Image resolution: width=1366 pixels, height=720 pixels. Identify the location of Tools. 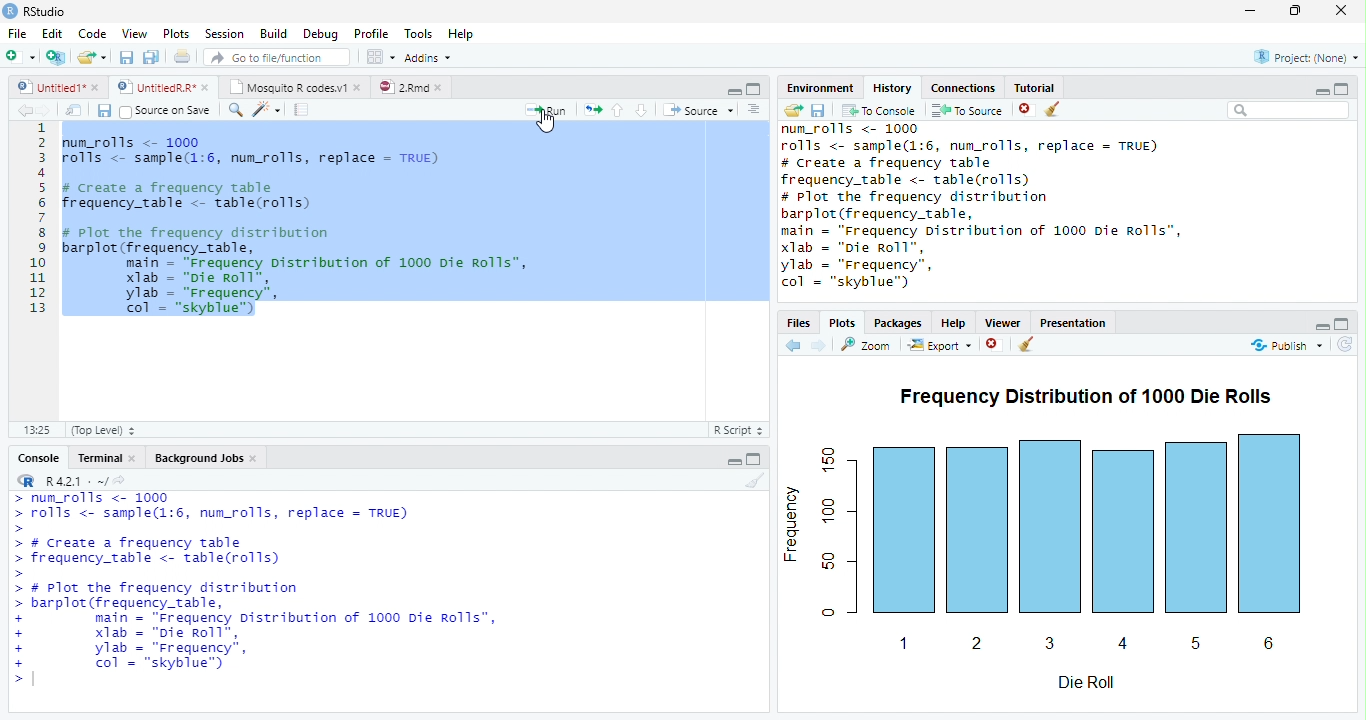
(420, 33).